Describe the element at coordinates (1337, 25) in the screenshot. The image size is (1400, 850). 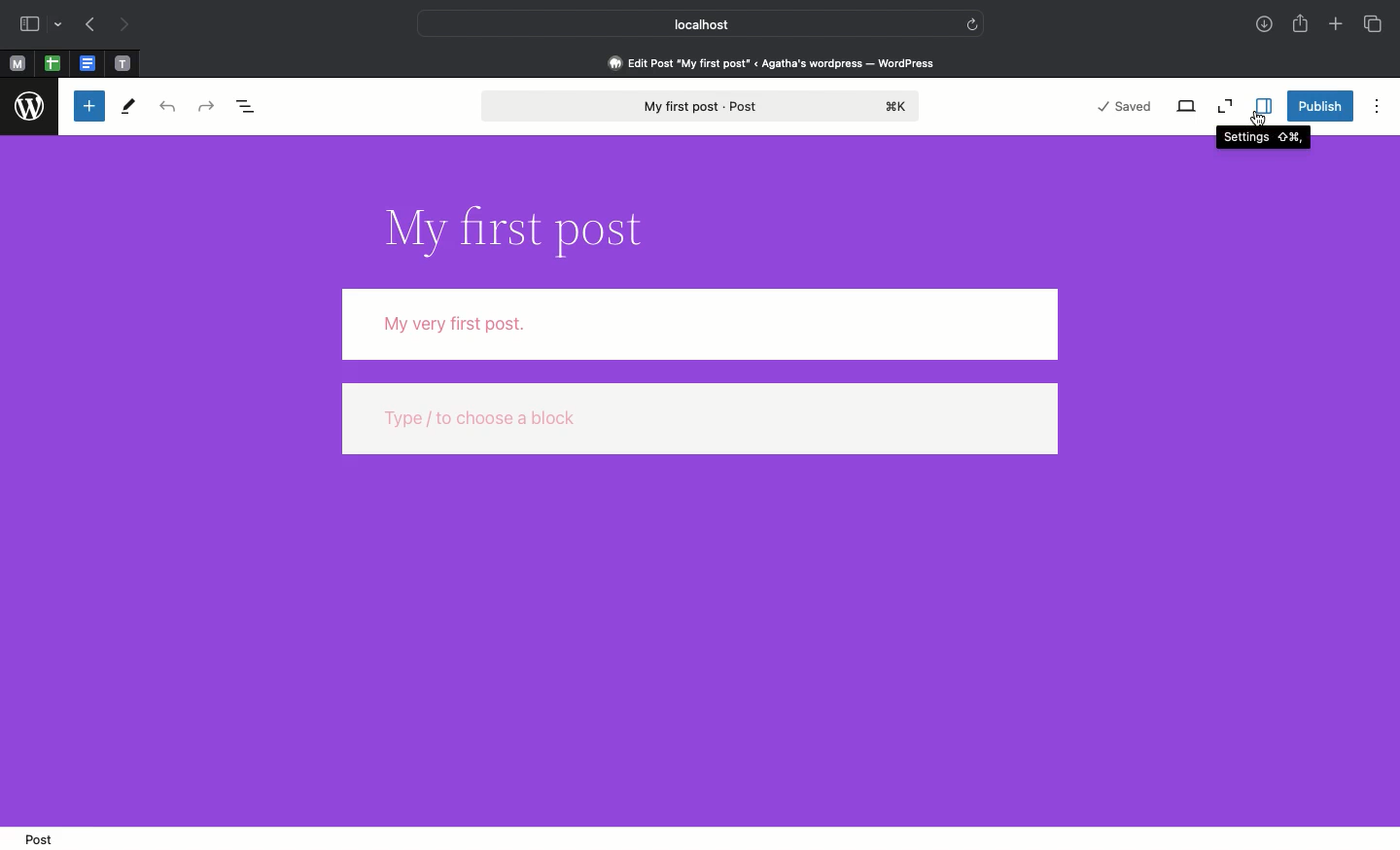
I see `Add new tab` at that location.